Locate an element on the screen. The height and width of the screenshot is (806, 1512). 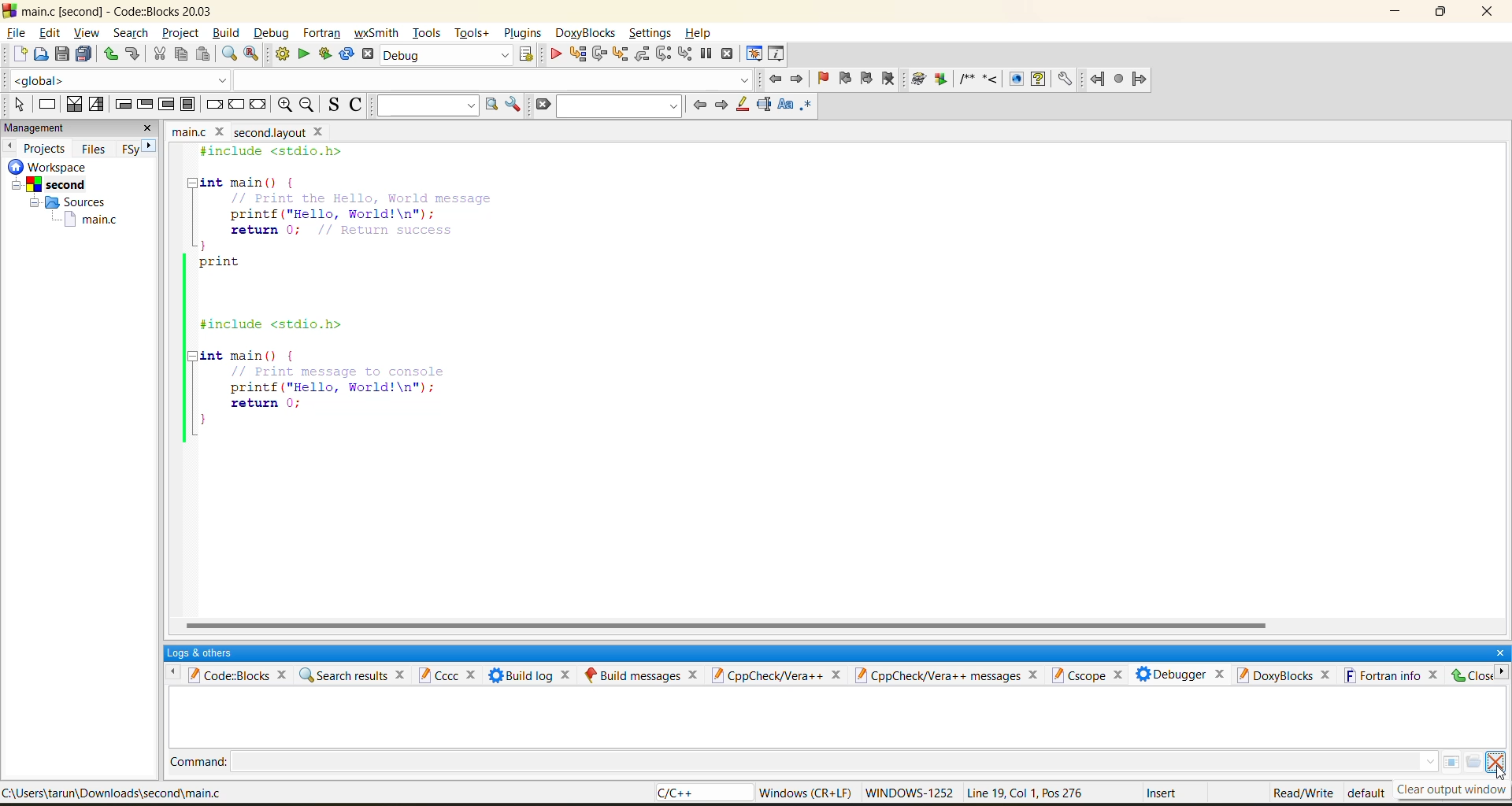
break instruction is located at coordinates (211, 105).